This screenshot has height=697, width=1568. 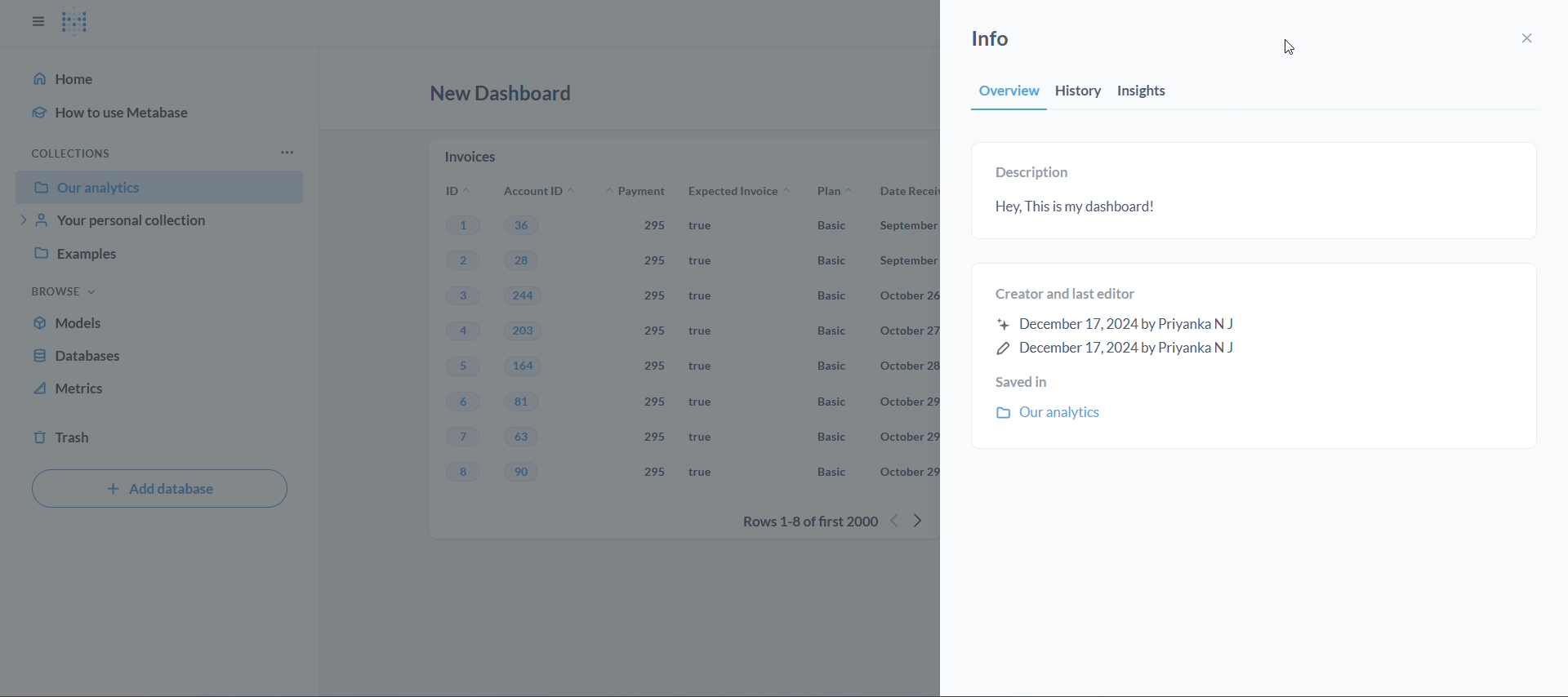 I want to click on Basic, so click(x=835, y=331).